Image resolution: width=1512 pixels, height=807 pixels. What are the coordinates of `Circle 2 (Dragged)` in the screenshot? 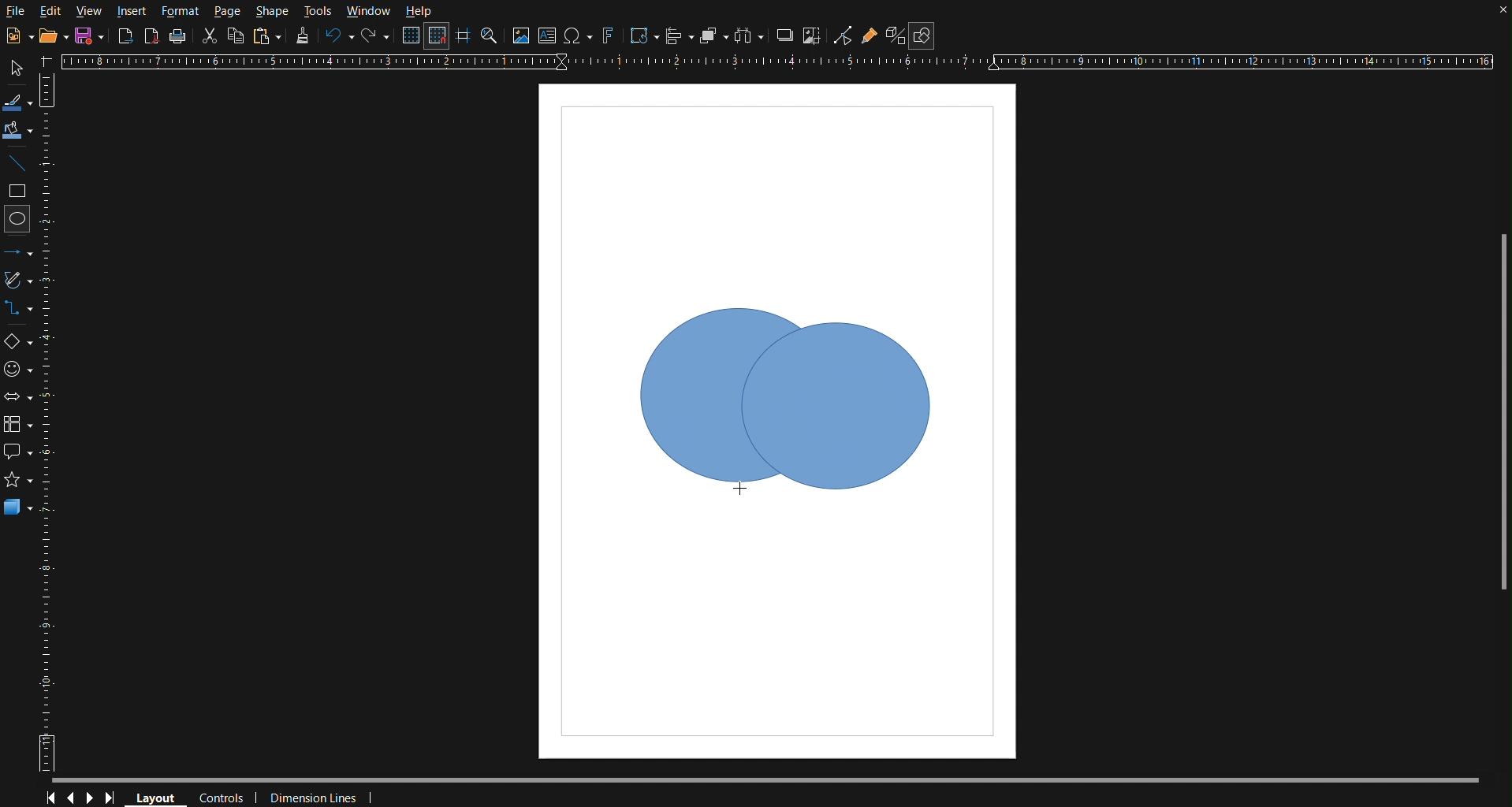 It's located at (860, 407).